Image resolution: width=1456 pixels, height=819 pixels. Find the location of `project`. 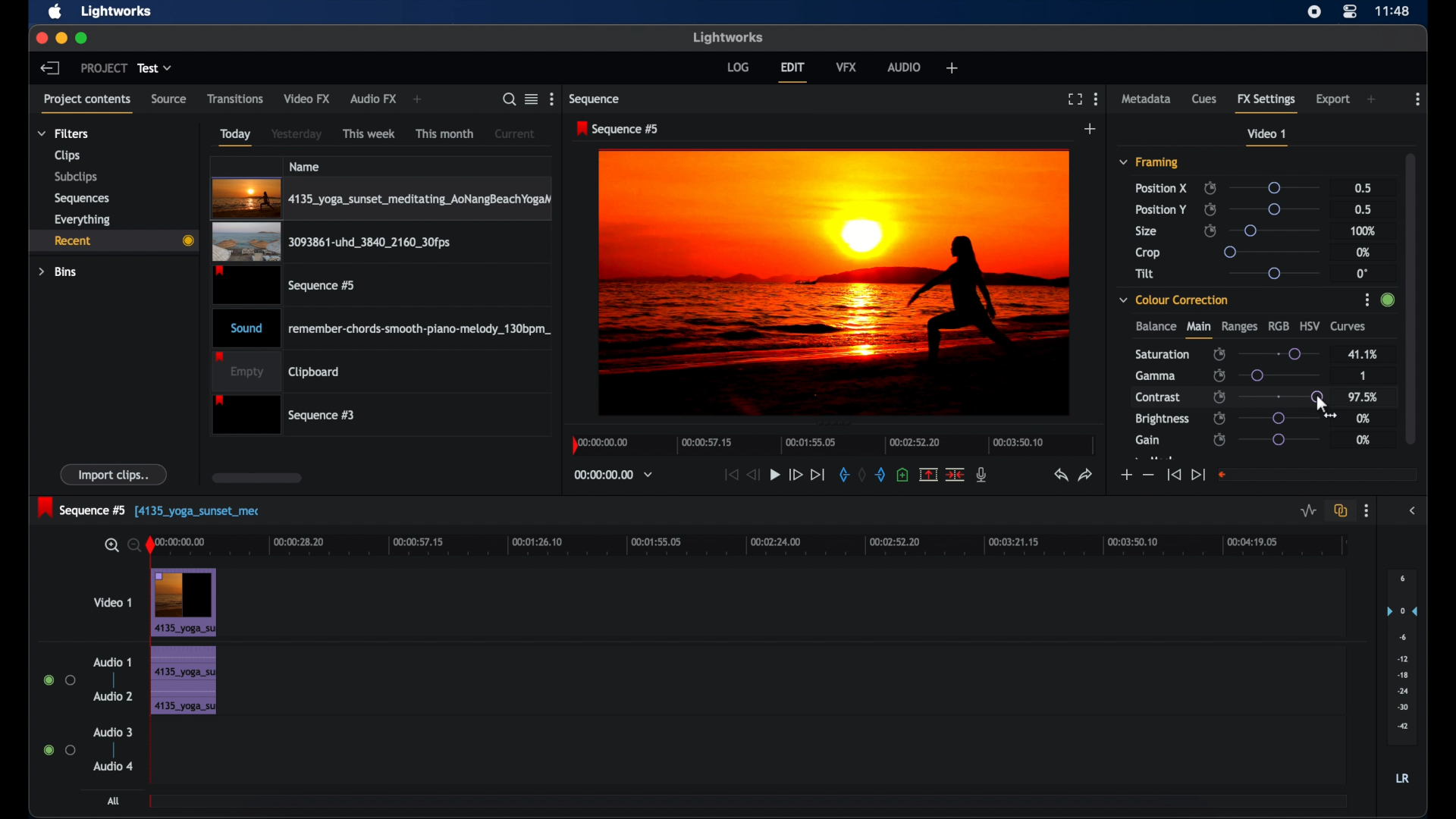

project is located at coordinates (104, 68).